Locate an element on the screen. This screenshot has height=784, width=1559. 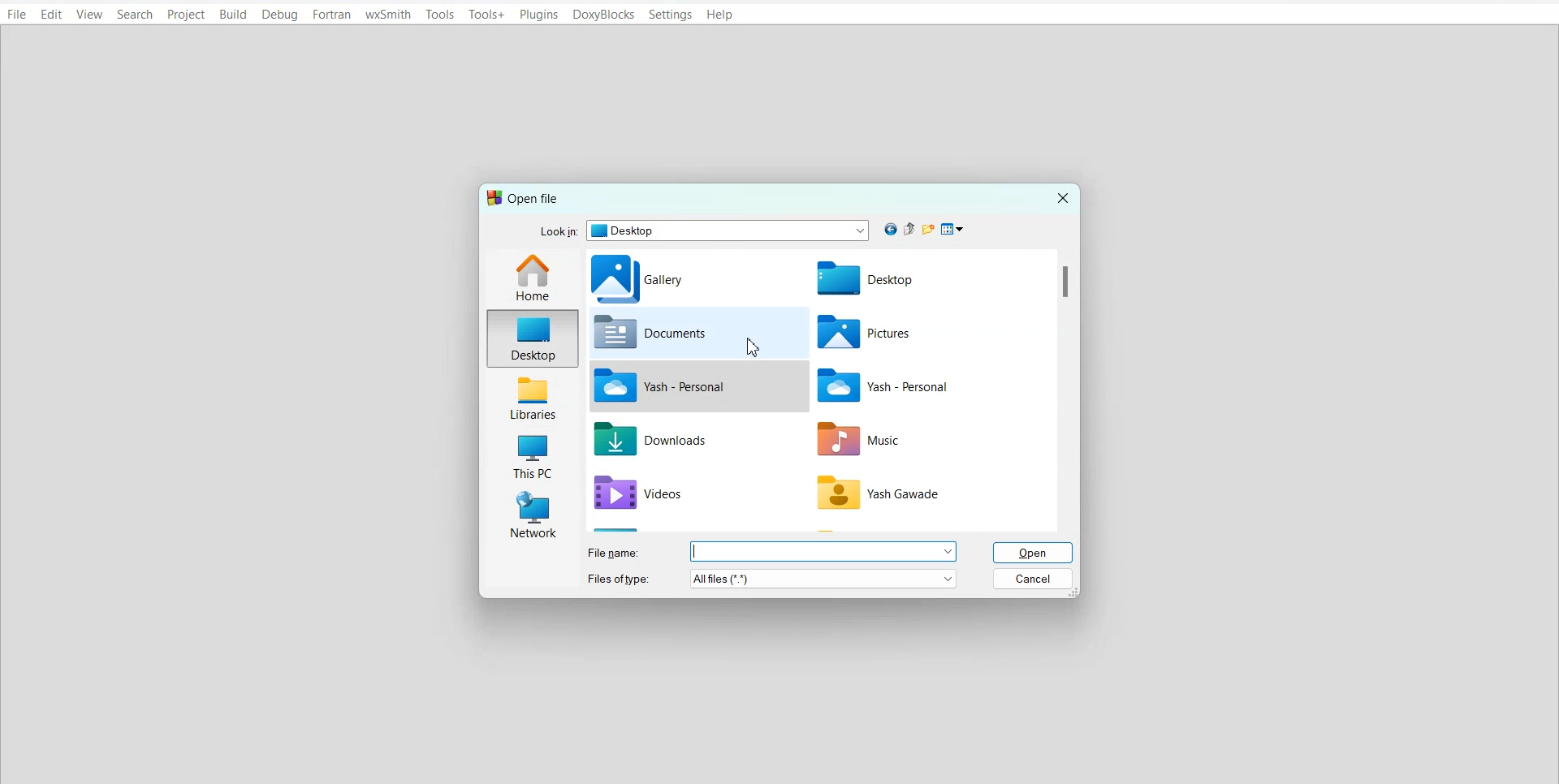
File name is located at coordinates (616, 551).